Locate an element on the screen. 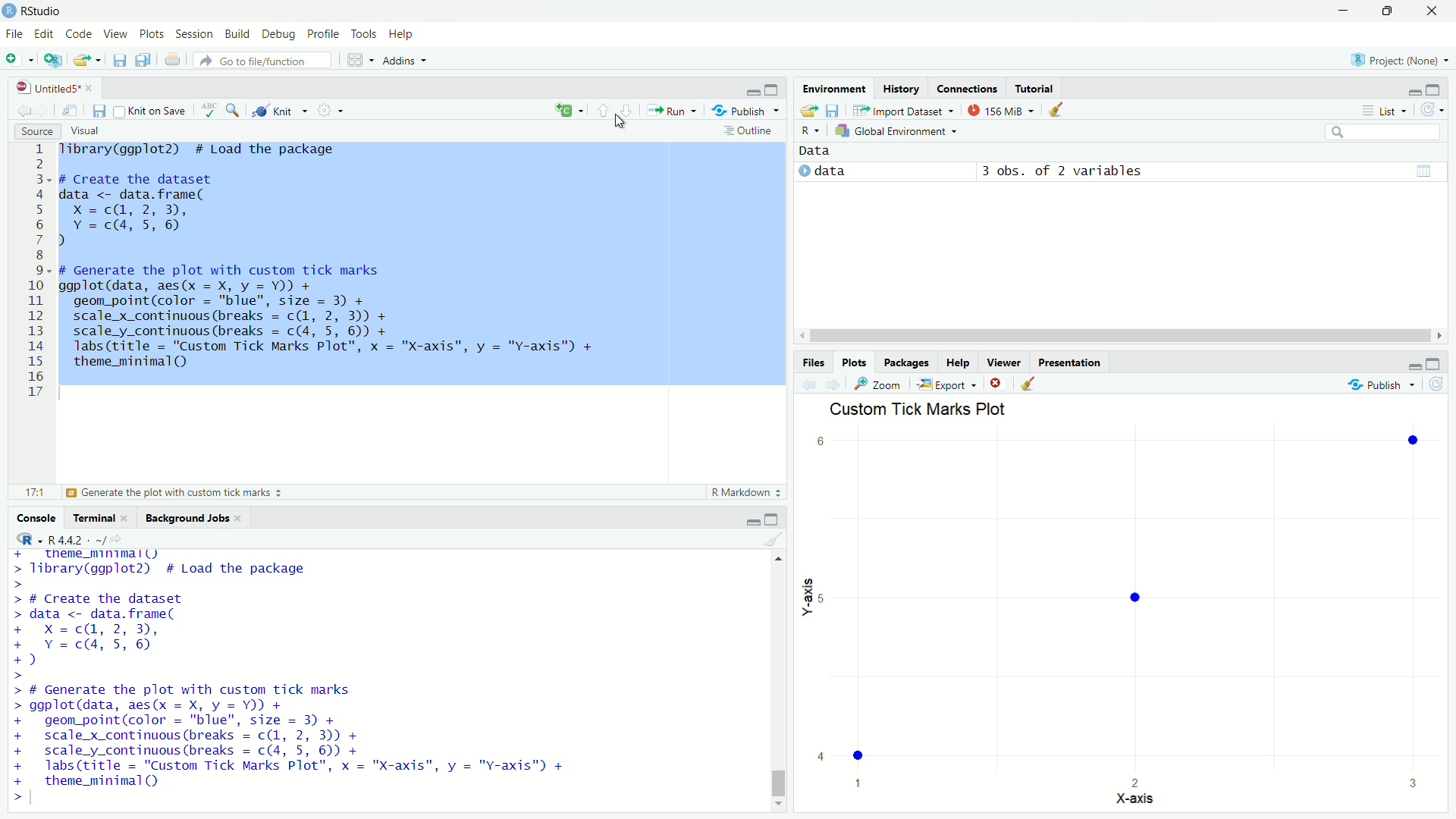 Image resolution: width=1456 pixels, height=819 pixels. prompt cursor is located at coordinates (12, 799).